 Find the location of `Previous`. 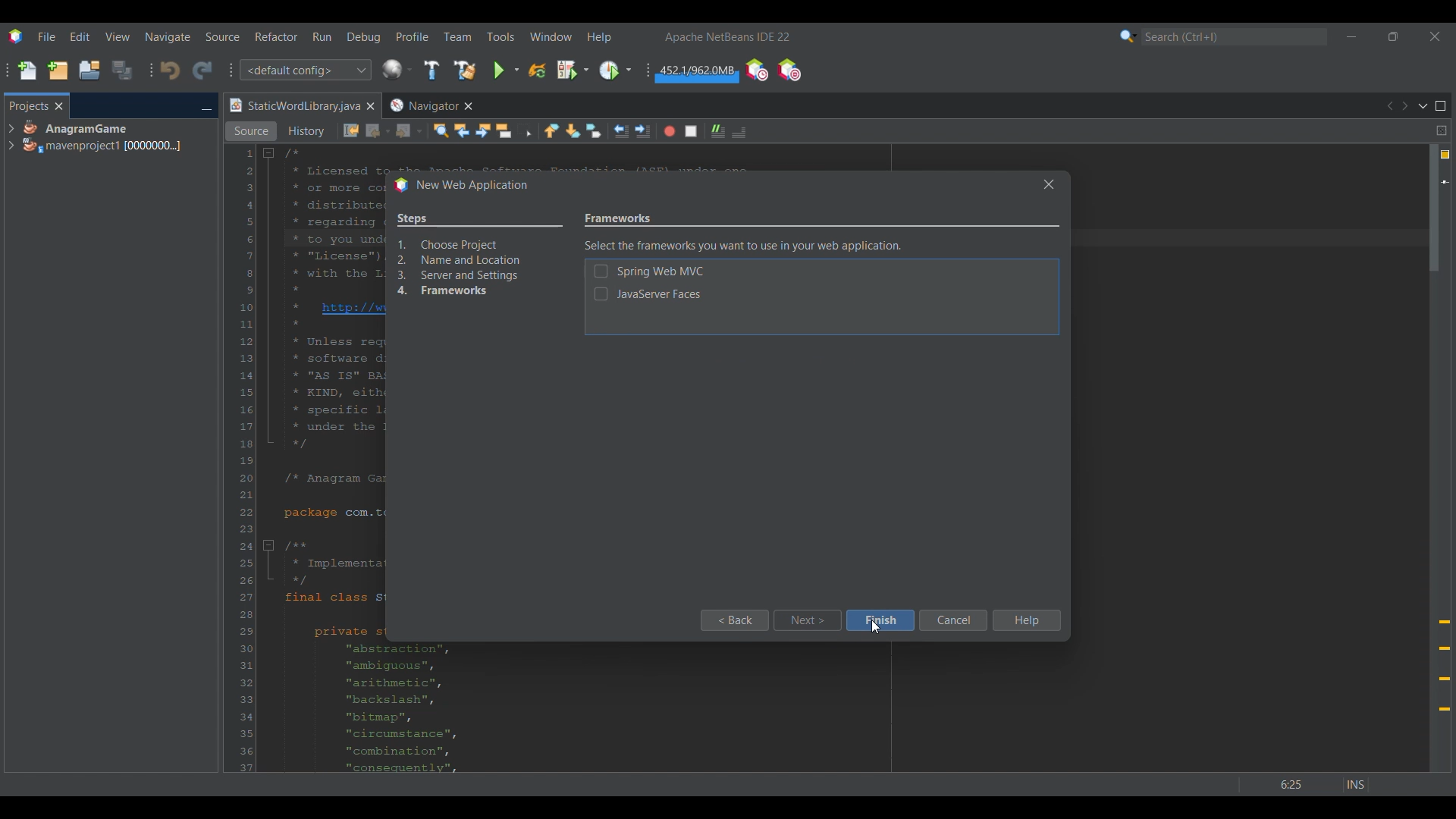

Previous is located at coordinates (1389, 106).